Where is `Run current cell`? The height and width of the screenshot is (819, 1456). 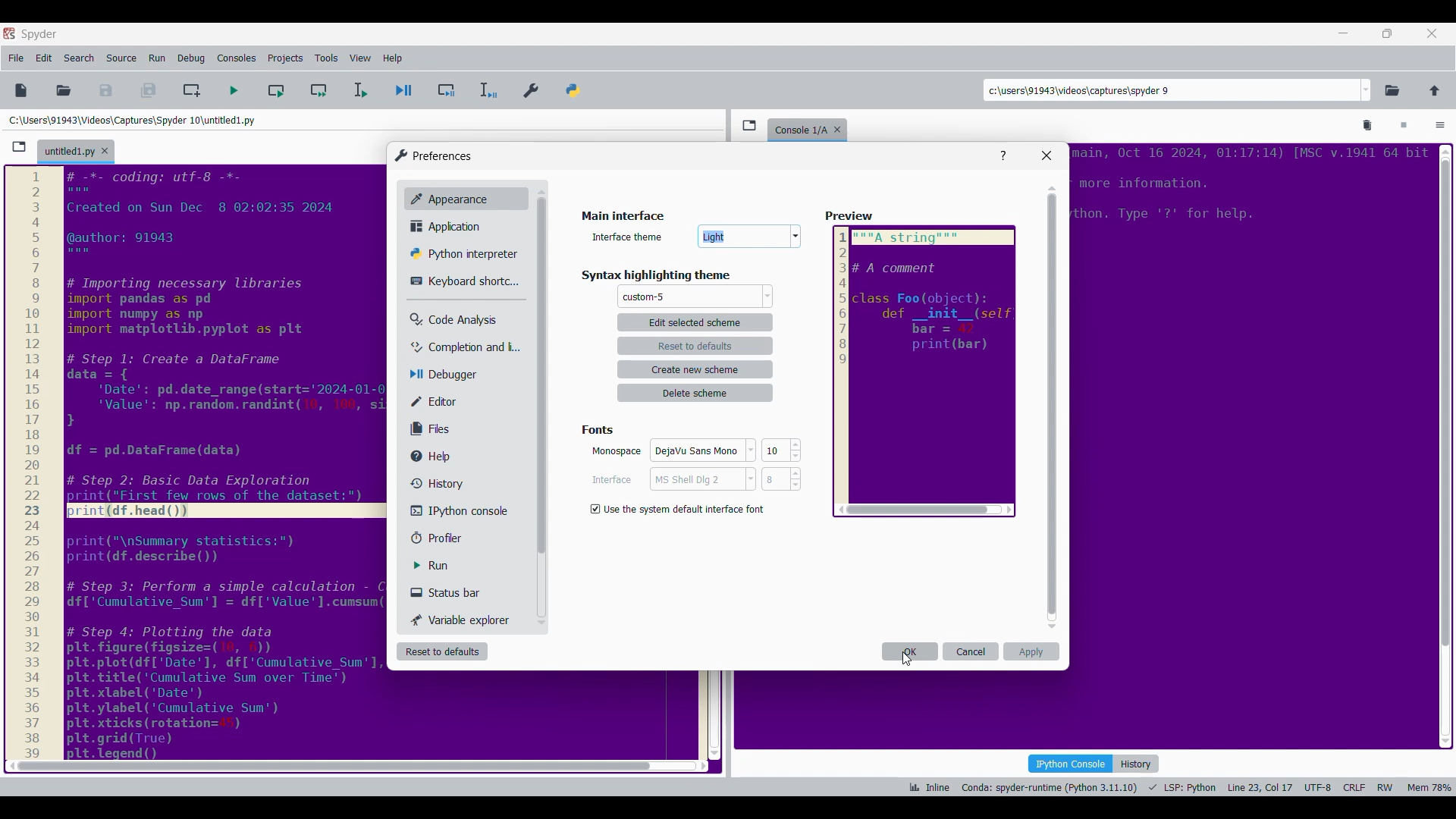
Run current cell is located at coordinates (276, 90).